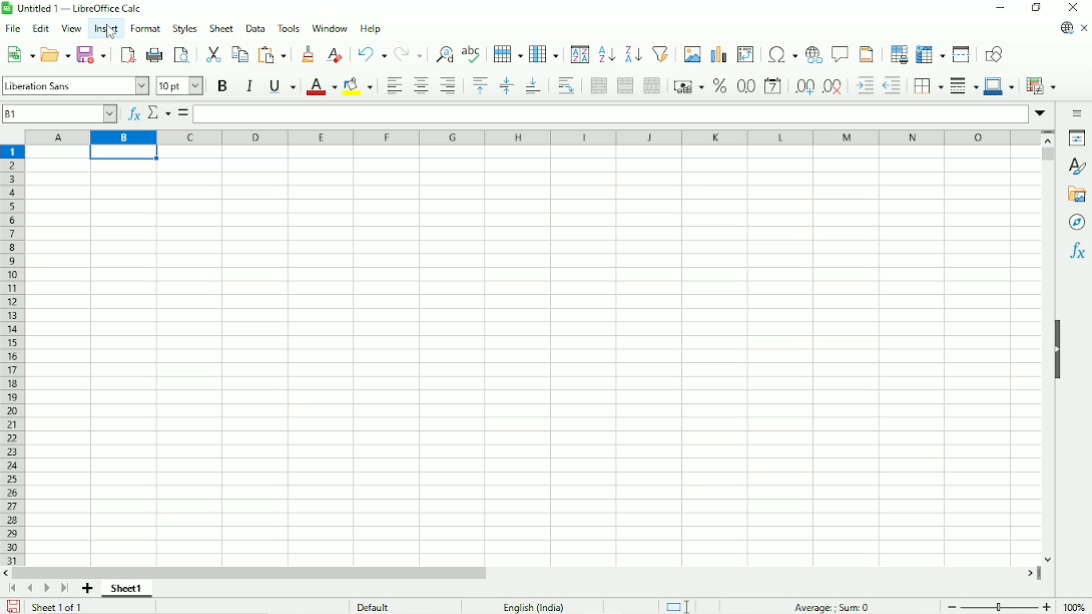 This screenshot has width=1092, height=614. I want to click on Formula, so click(182, 112).